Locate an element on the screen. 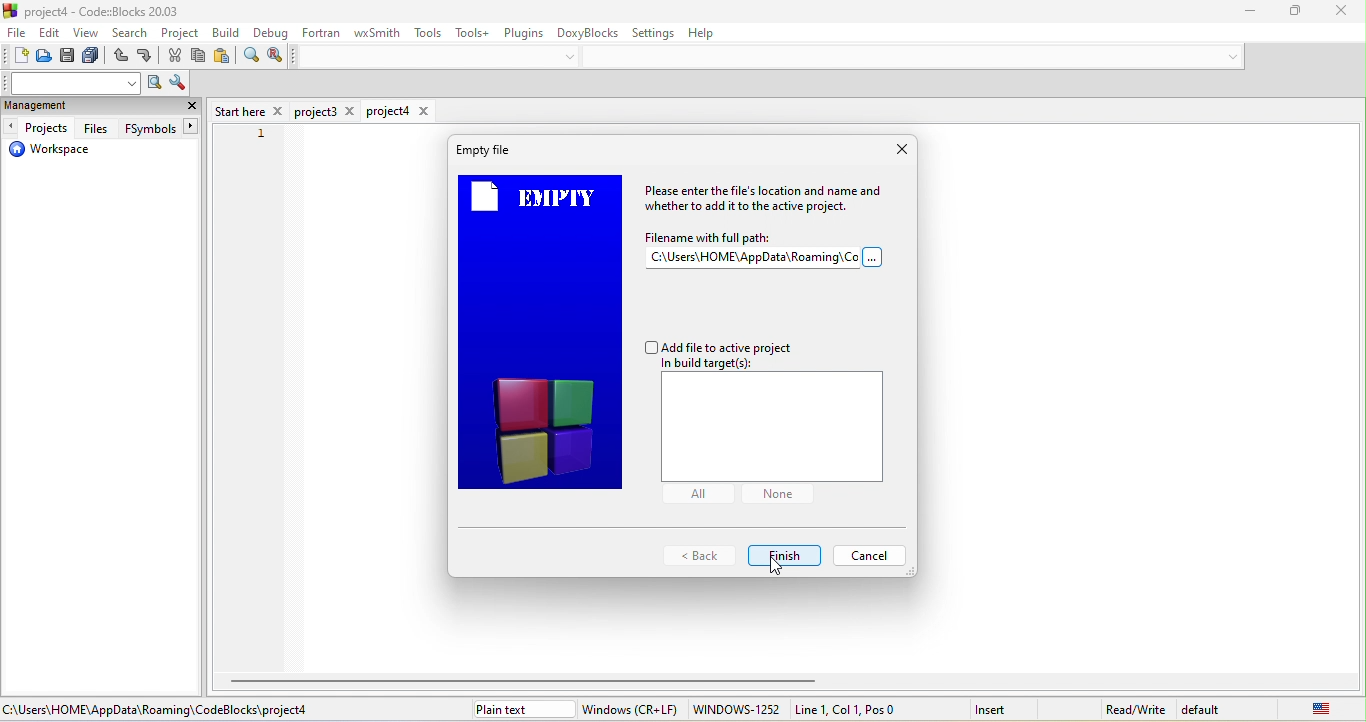  fsymbols is located at coordinates (158, 129).